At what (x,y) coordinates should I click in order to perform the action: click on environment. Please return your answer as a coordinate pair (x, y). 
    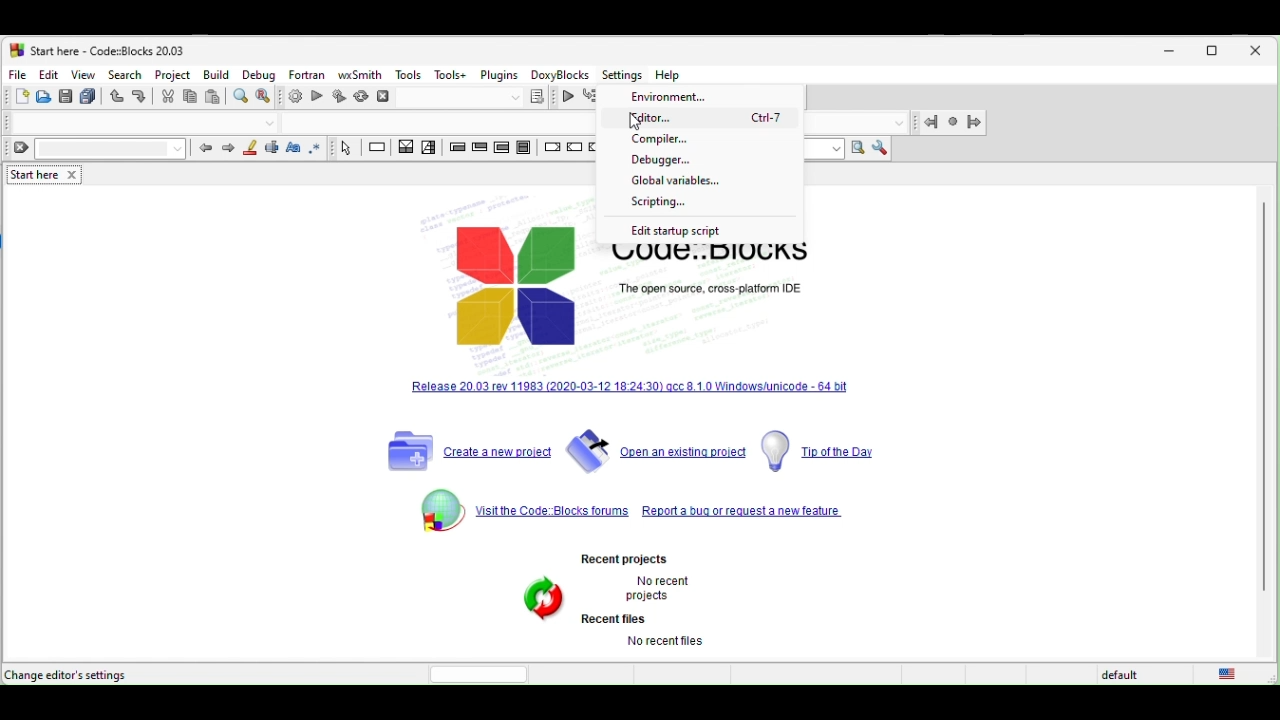
    Looking at the image, I should click on (687, 97).